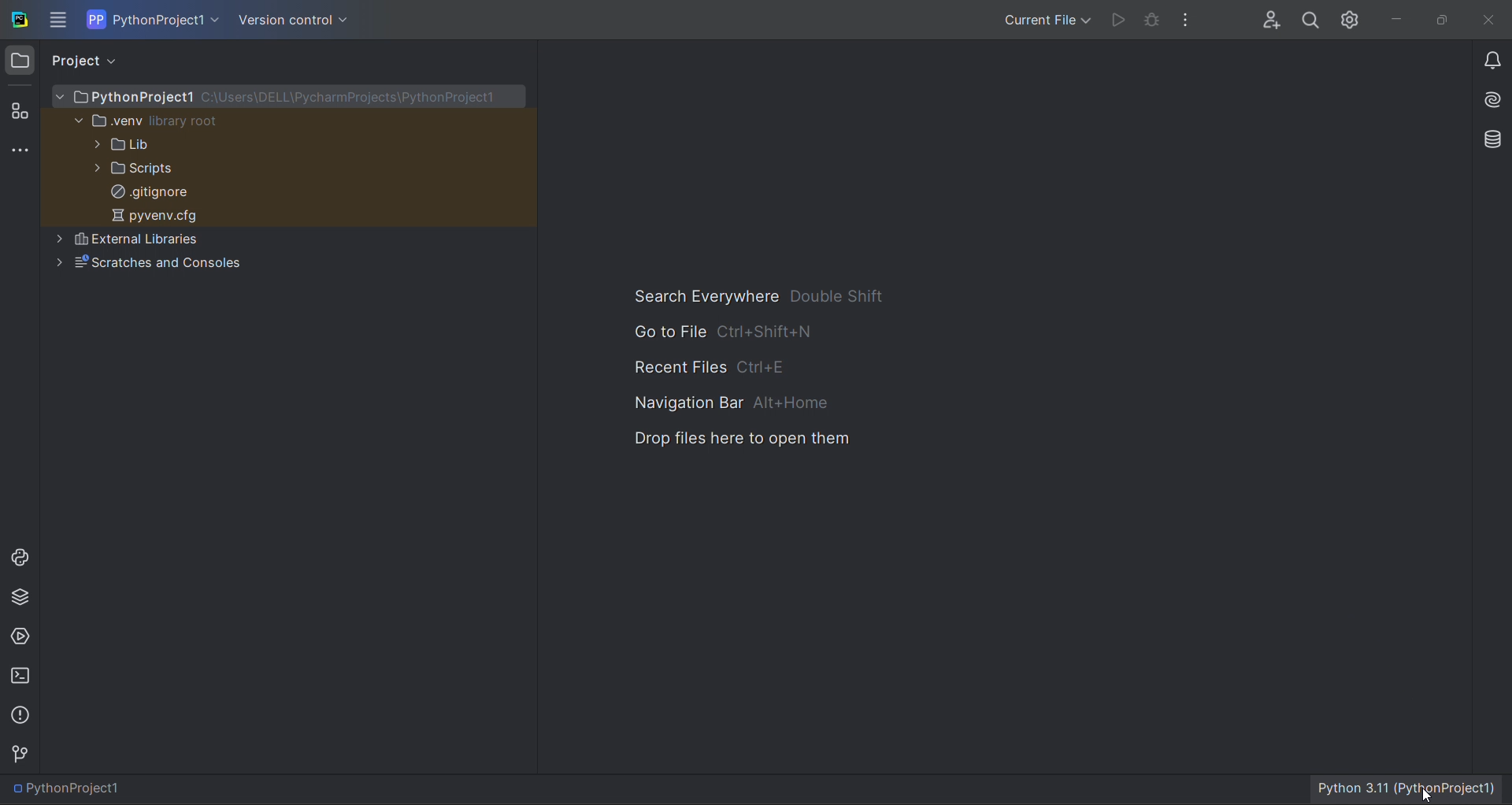 This screenshot has width=1512, height=805. What do you see at coordinates (760, 369) in the screenshot?
I see `hotkey options` at bounding box center [760, 369].